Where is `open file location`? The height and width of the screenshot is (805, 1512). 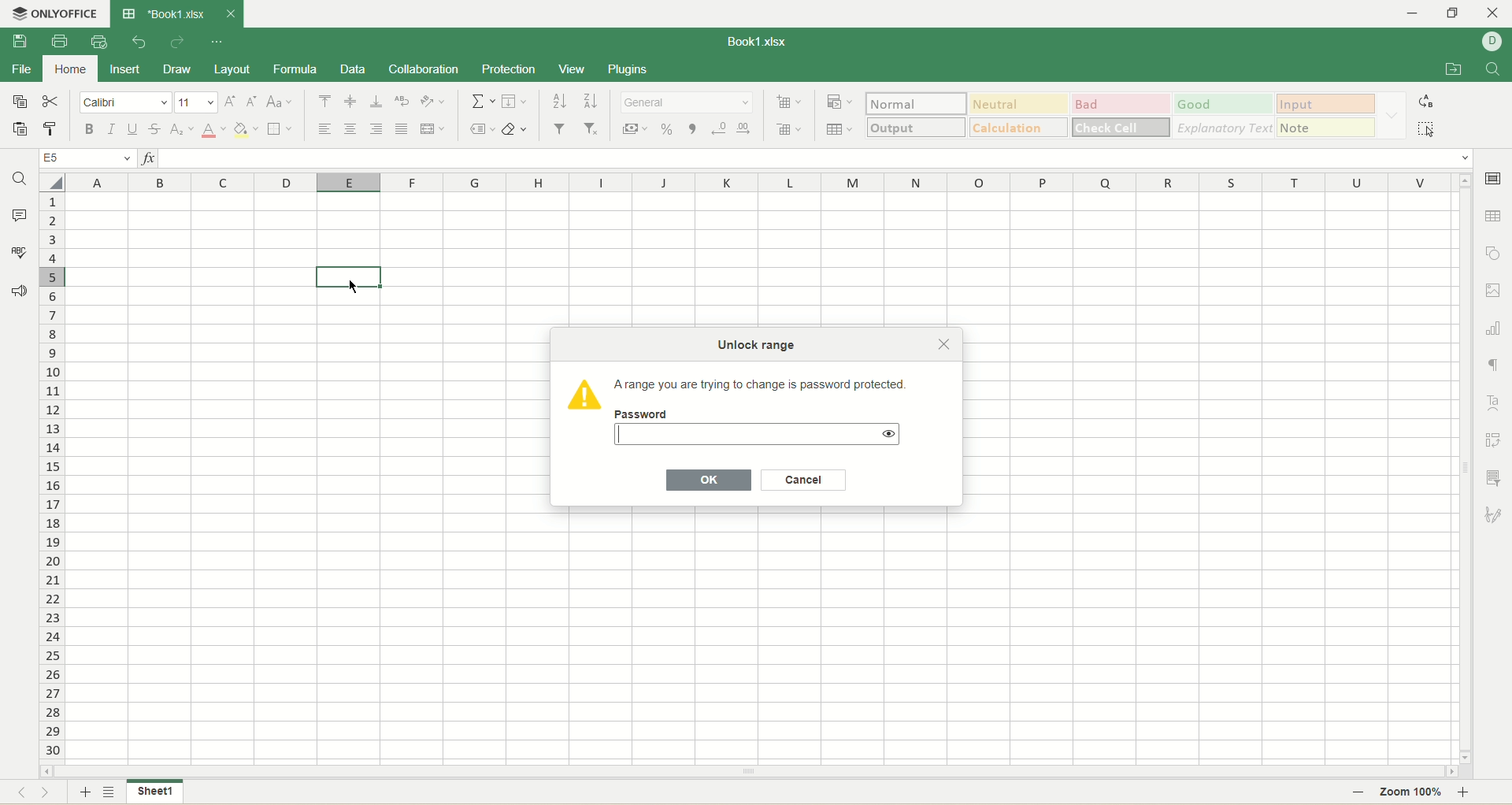
open file location is located at coordinates (1448, 71).